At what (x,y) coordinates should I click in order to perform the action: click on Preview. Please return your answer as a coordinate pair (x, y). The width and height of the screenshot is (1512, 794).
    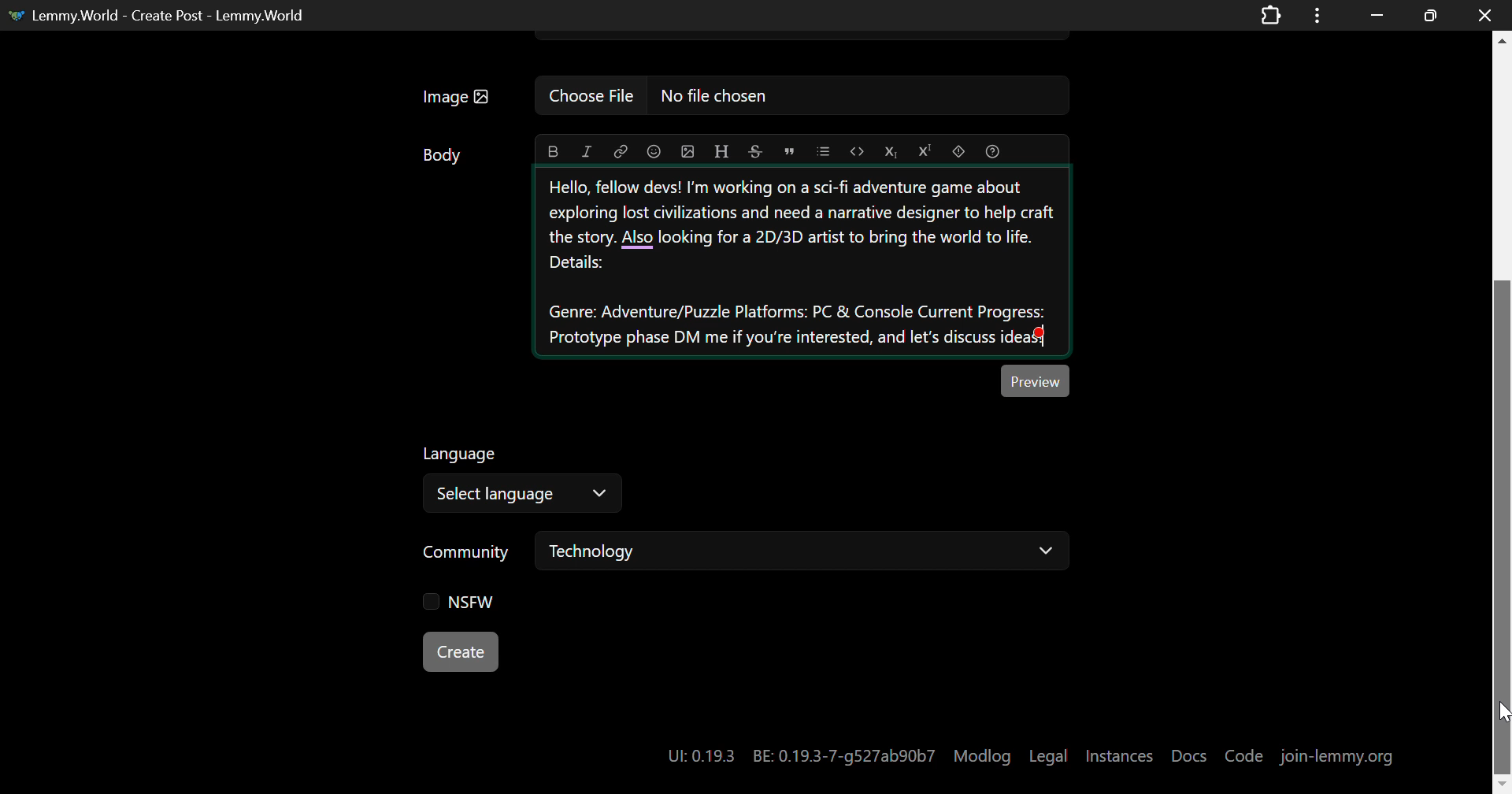
    Looking at the image, I should click on (1036, 380).